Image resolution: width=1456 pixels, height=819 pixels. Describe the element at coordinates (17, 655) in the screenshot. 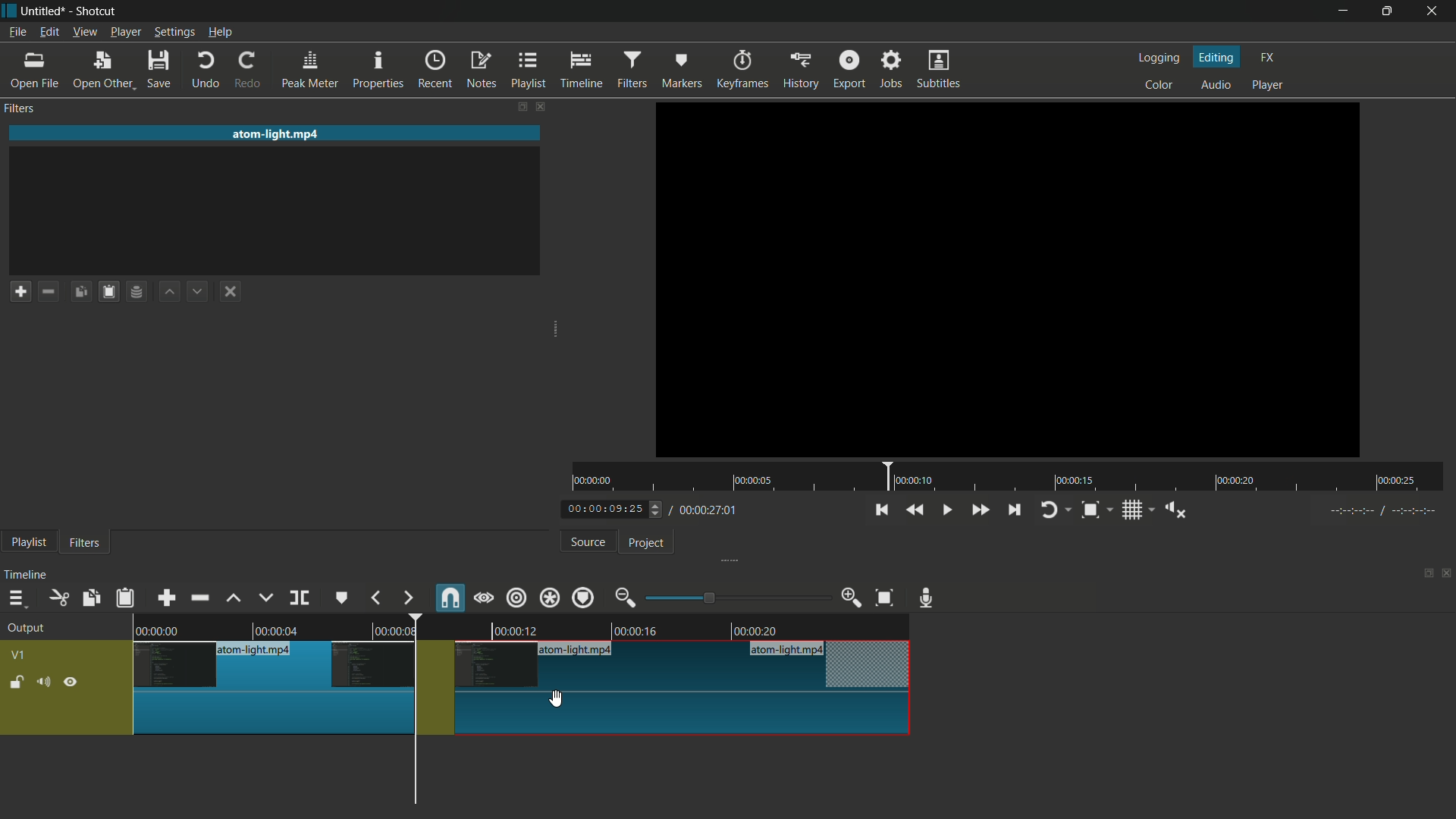

I see `v1` at that location.